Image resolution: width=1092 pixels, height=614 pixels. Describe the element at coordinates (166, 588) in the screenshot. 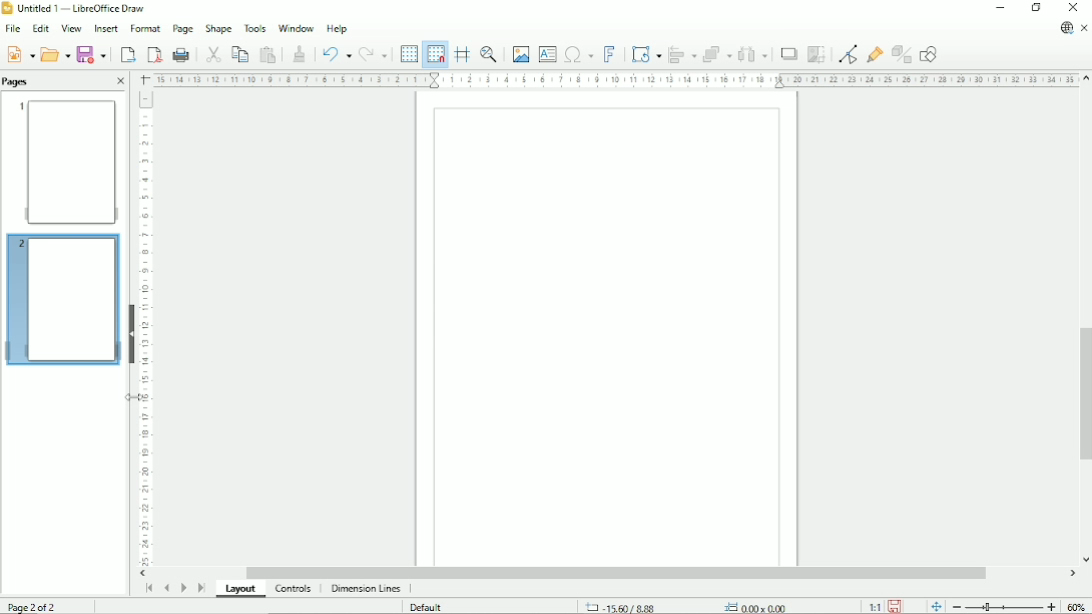

I see `Scroll to previous page` at that location.